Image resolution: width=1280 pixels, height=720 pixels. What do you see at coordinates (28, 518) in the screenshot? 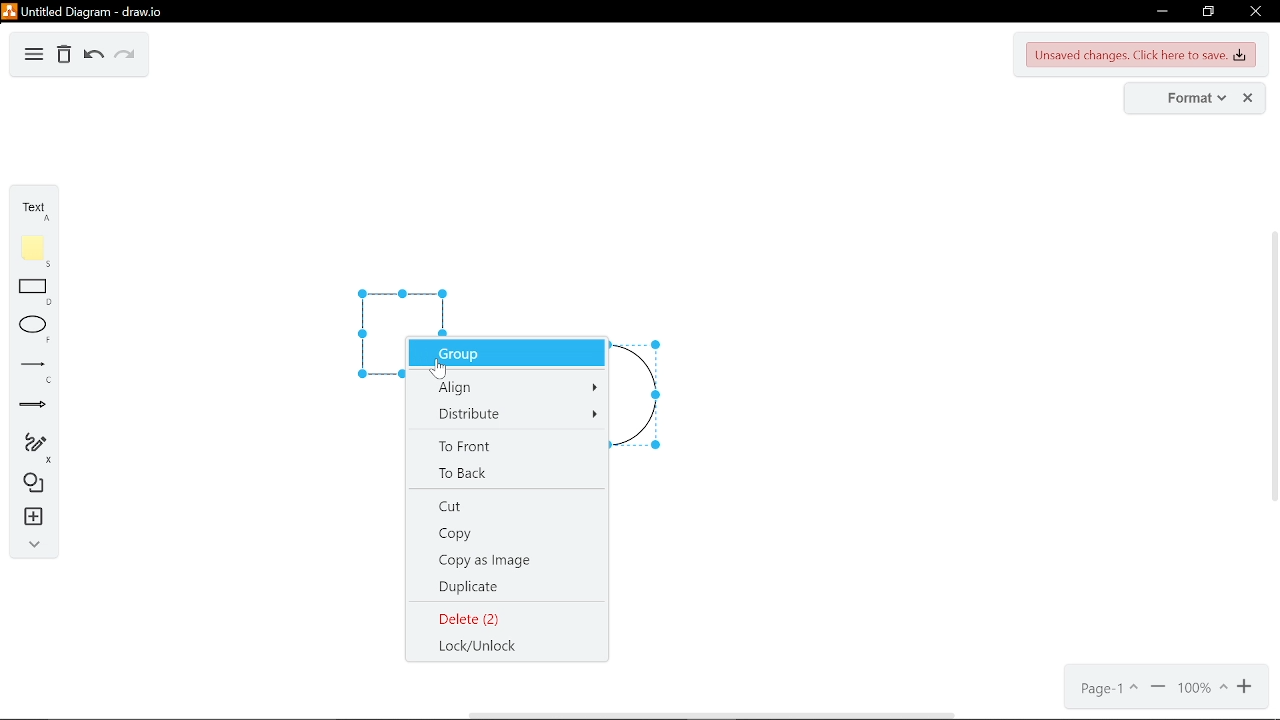
I see `insert` at bounding box center [28, 518].